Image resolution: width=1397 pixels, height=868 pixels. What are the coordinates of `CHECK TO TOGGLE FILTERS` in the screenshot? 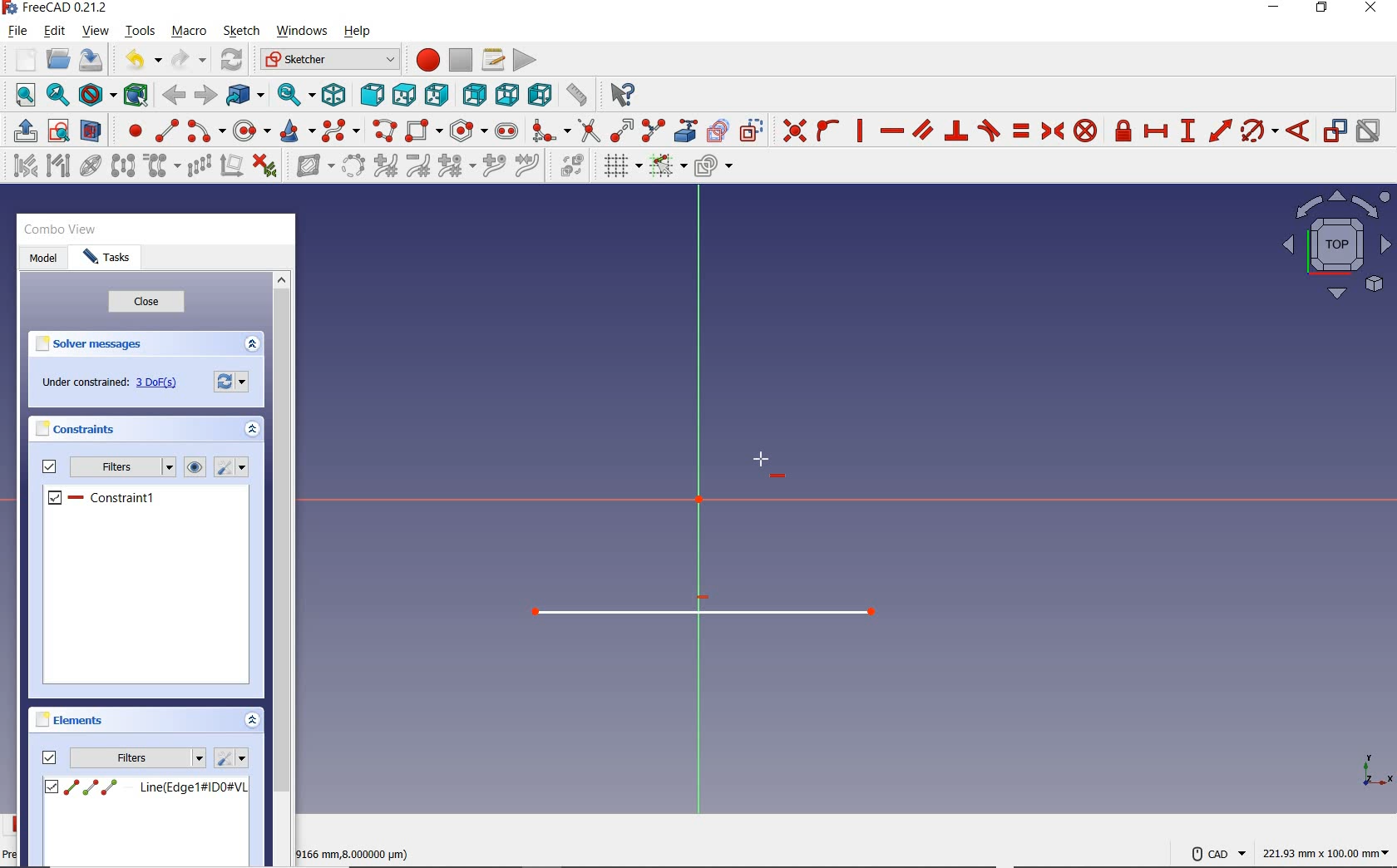 It's located at (49, 757).